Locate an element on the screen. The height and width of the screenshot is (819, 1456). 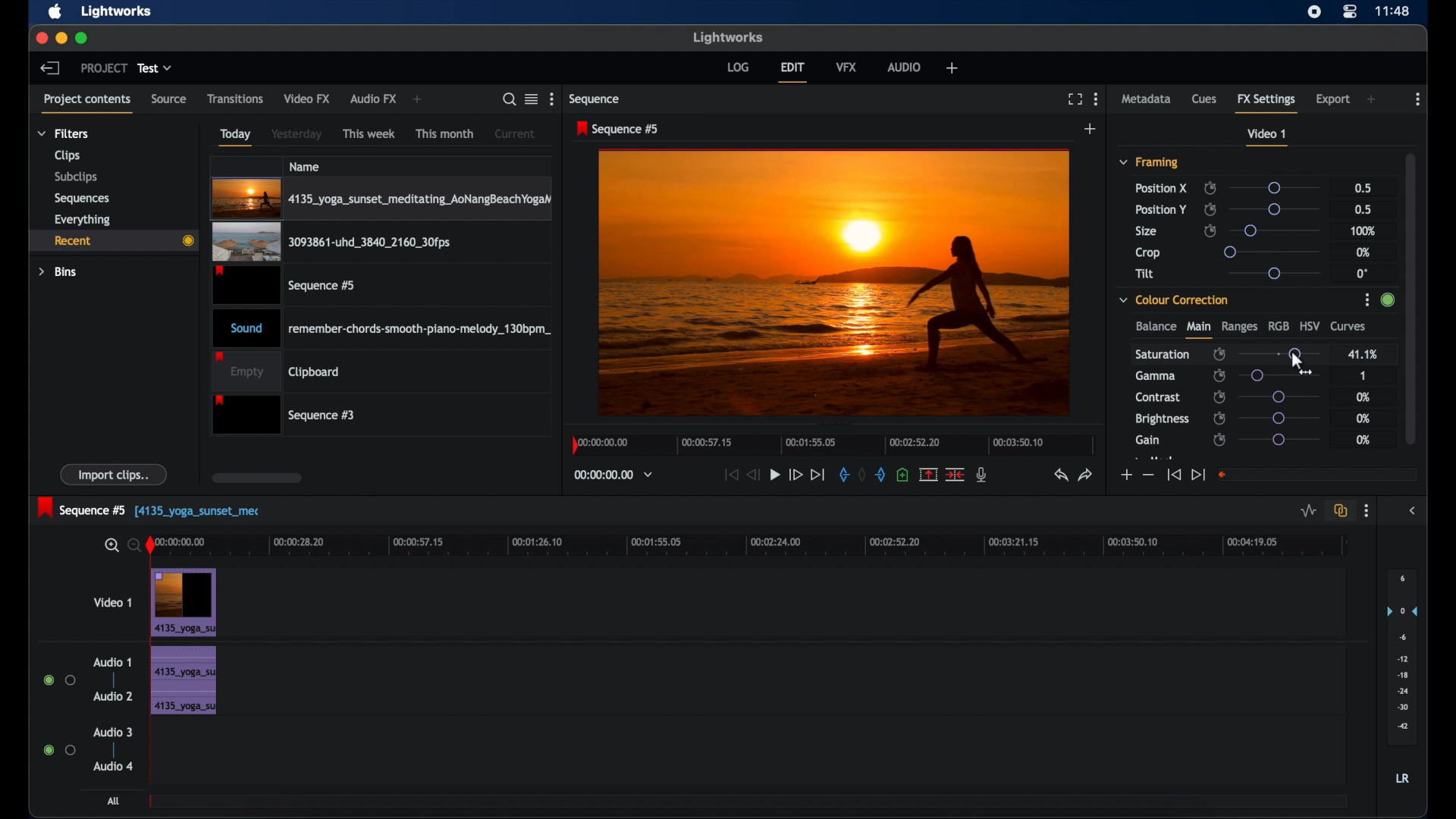
video is located at coordinates (184, 602).